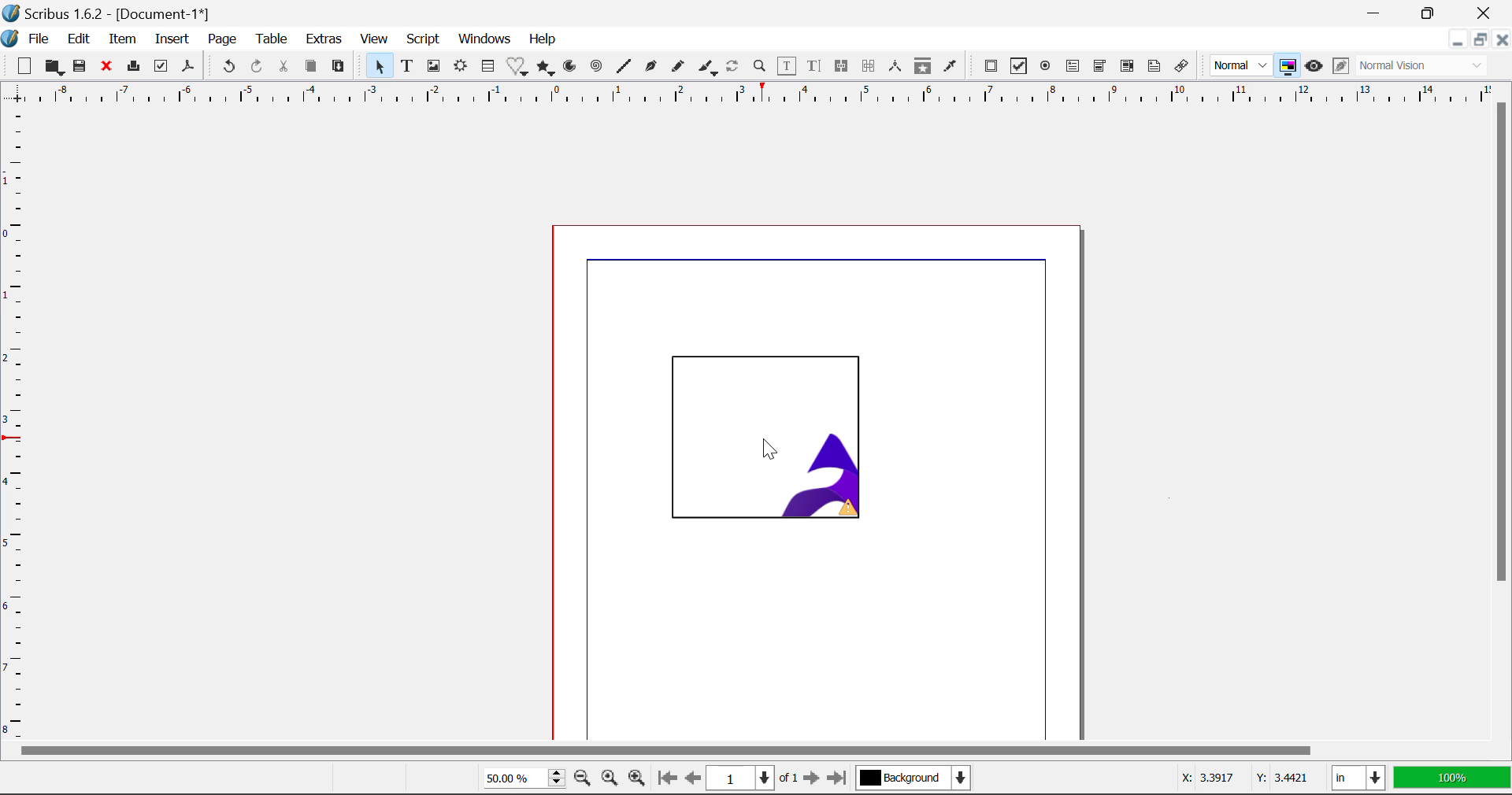  Describe the element at coordinates (1073, 68) in the screenshot. I see `Pdf Text Field` at that location.